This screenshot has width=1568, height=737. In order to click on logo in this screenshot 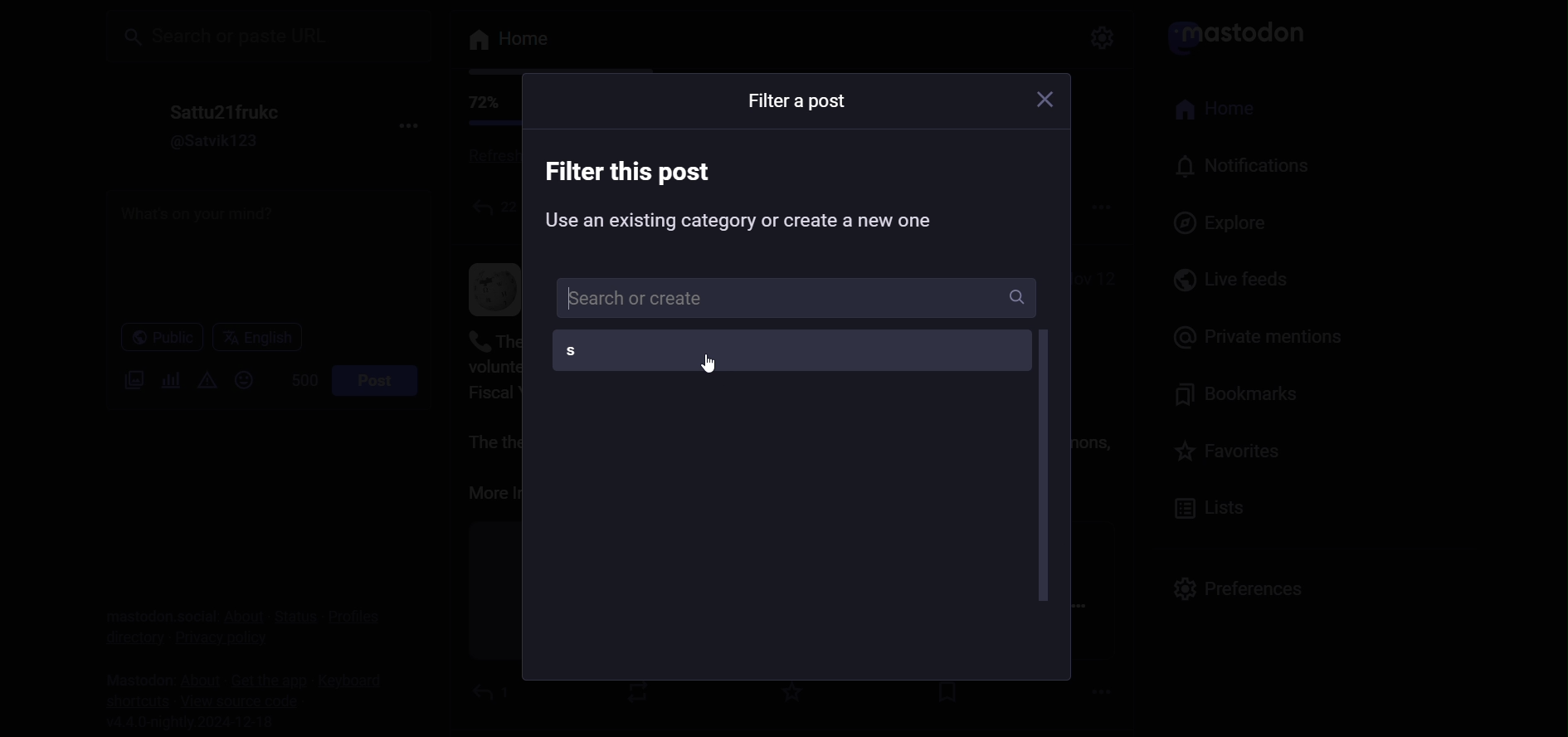, I will do `click(1244, 33)`.